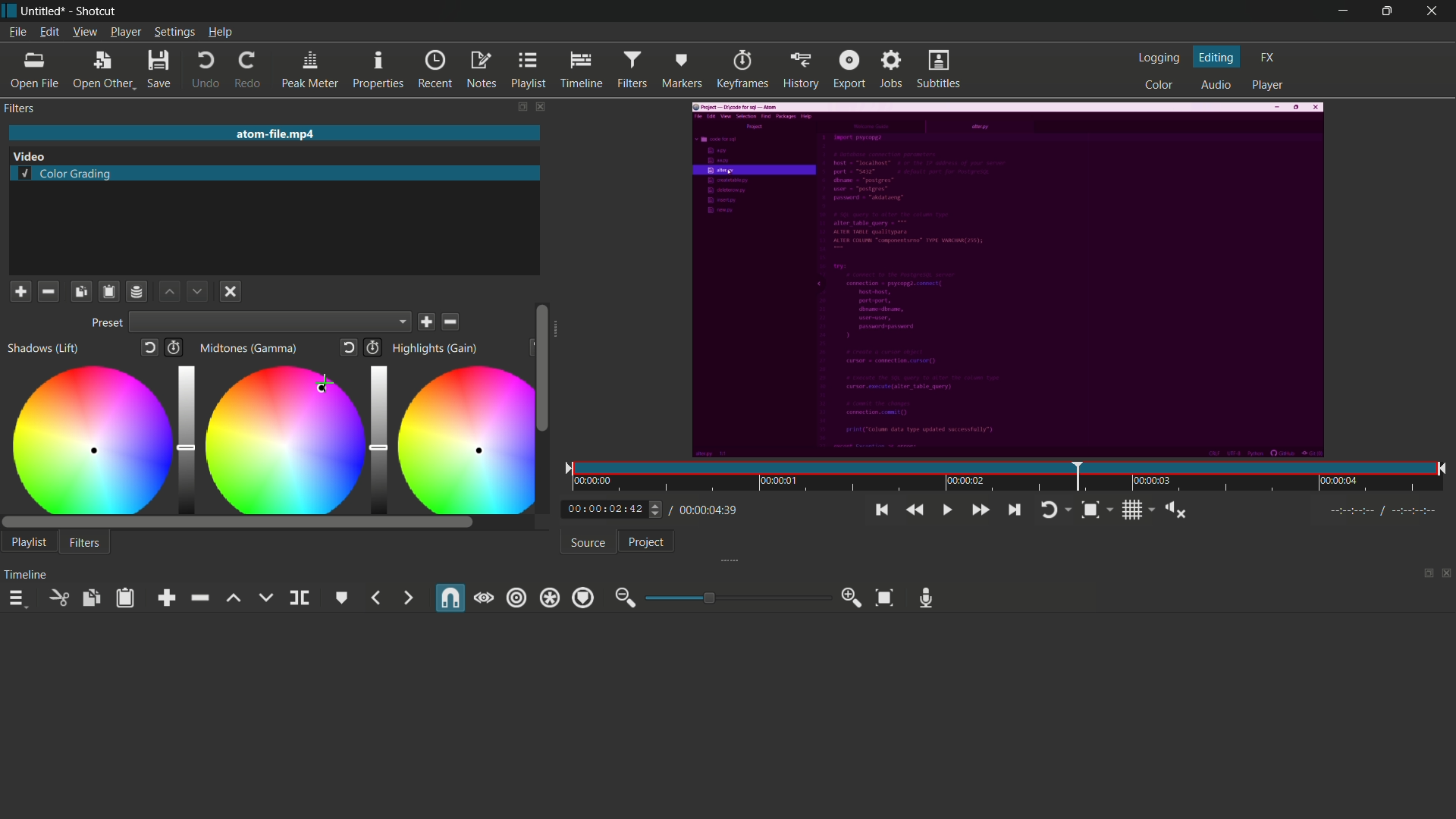 The width and height of the screenshot is (1456, 819). What do you see at coordinates (196, 290) in the screenshot?
I see `Down` at bounding box center [196, 290].